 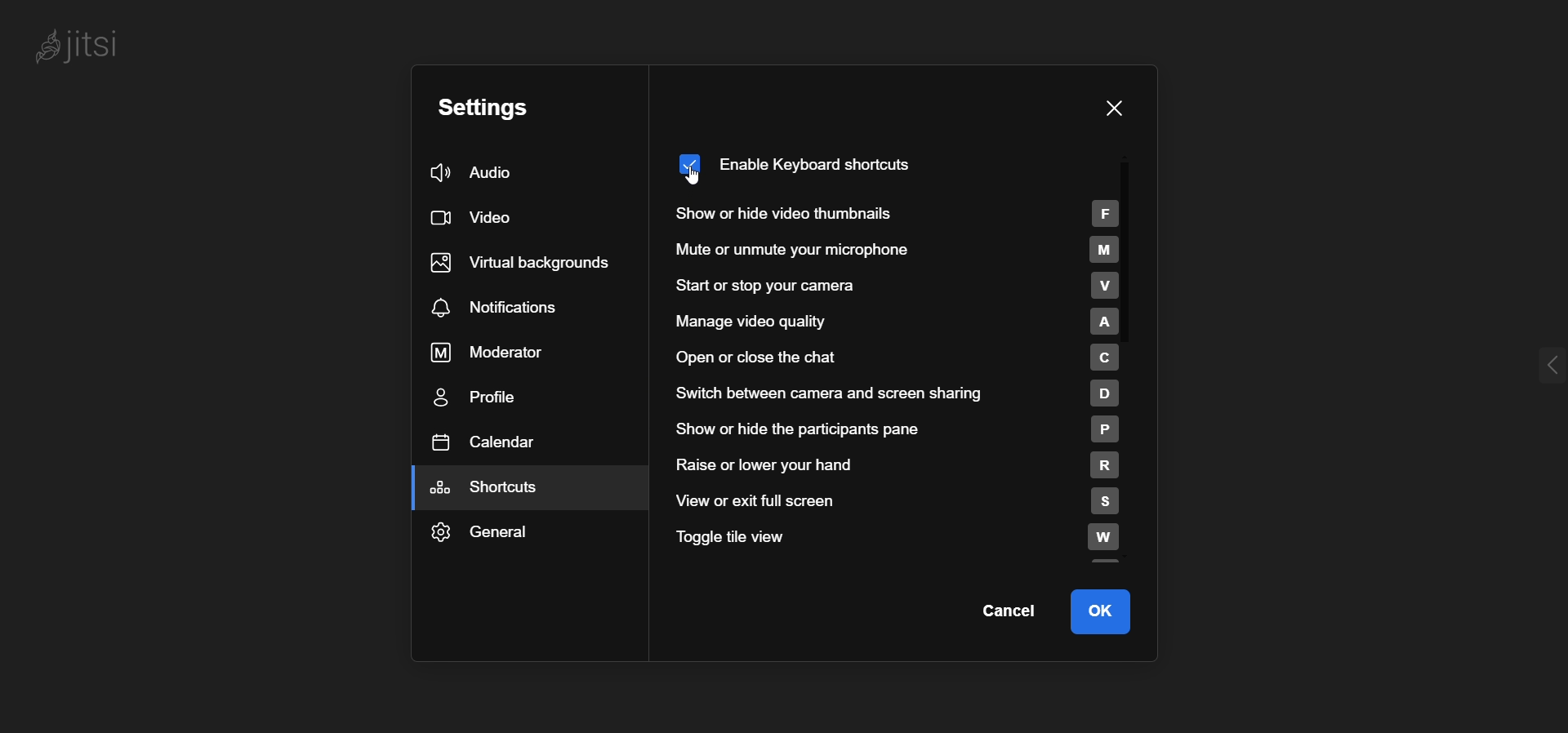 I want to click on view or exit full screen, so click(x=902, y=500).